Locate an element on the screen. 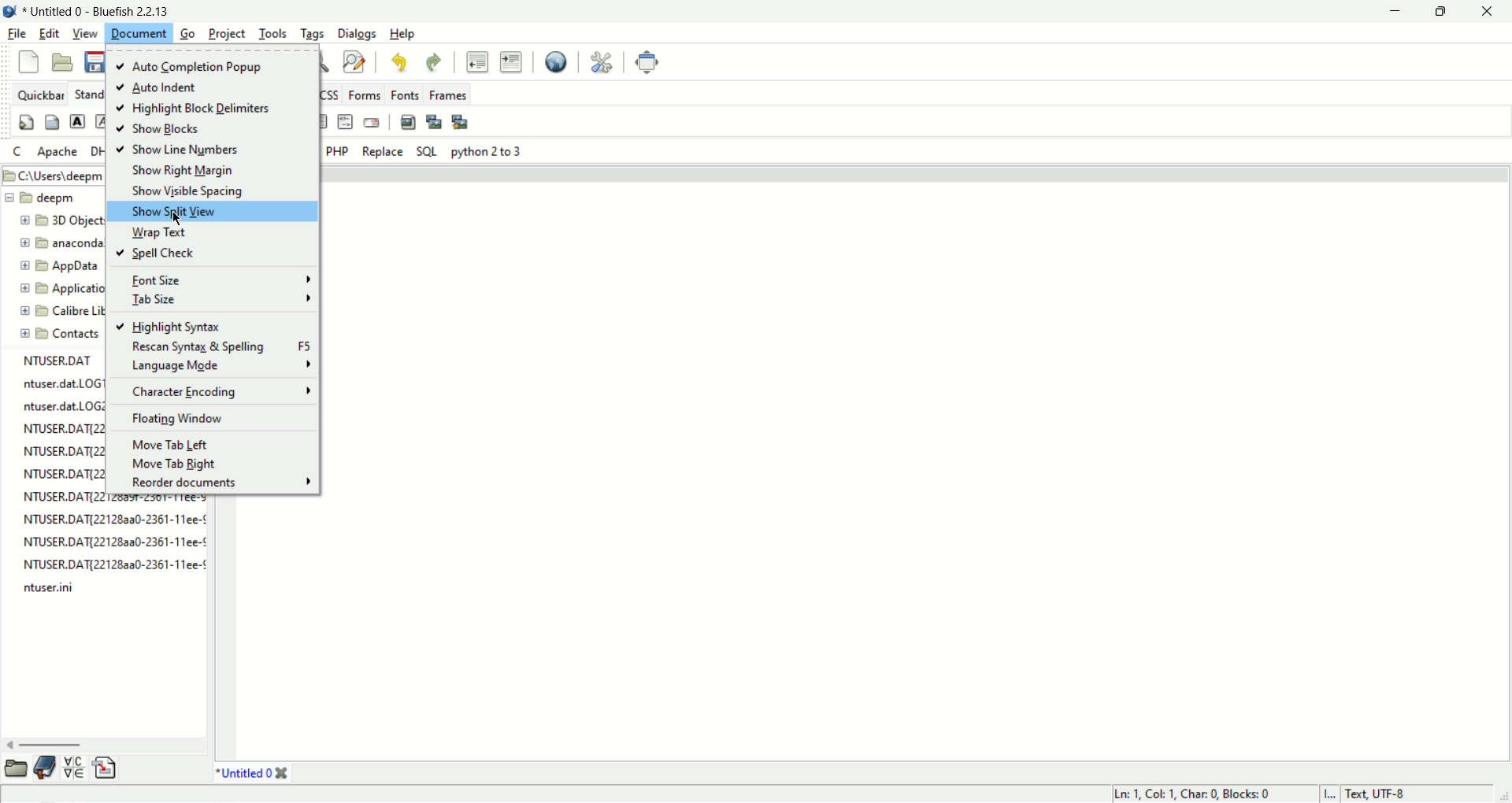 The width and height of the screenshot is (1512, 803). quick settings is located at coordinates (27, 124).